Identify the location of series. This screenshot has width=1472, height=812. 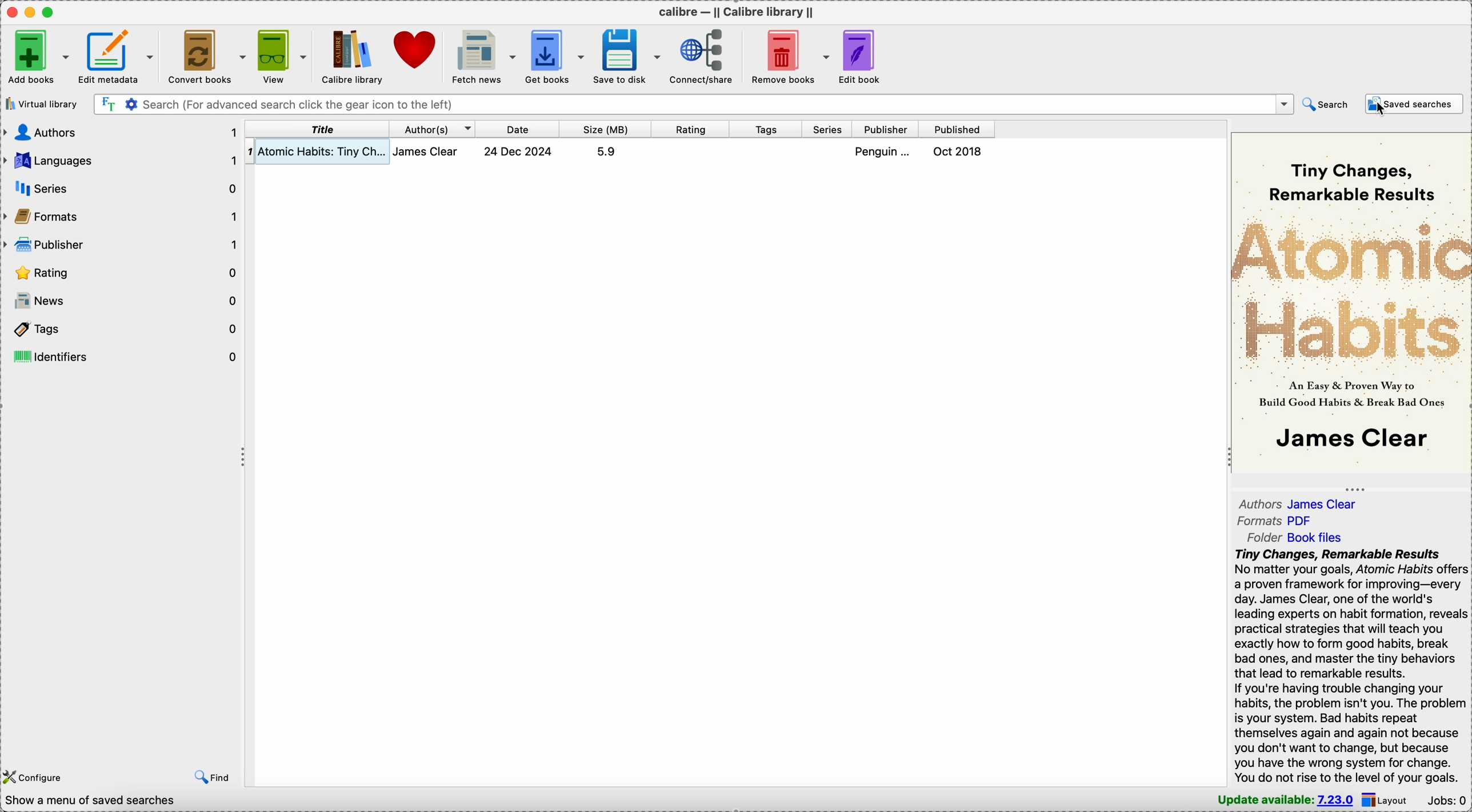
(828, 130).